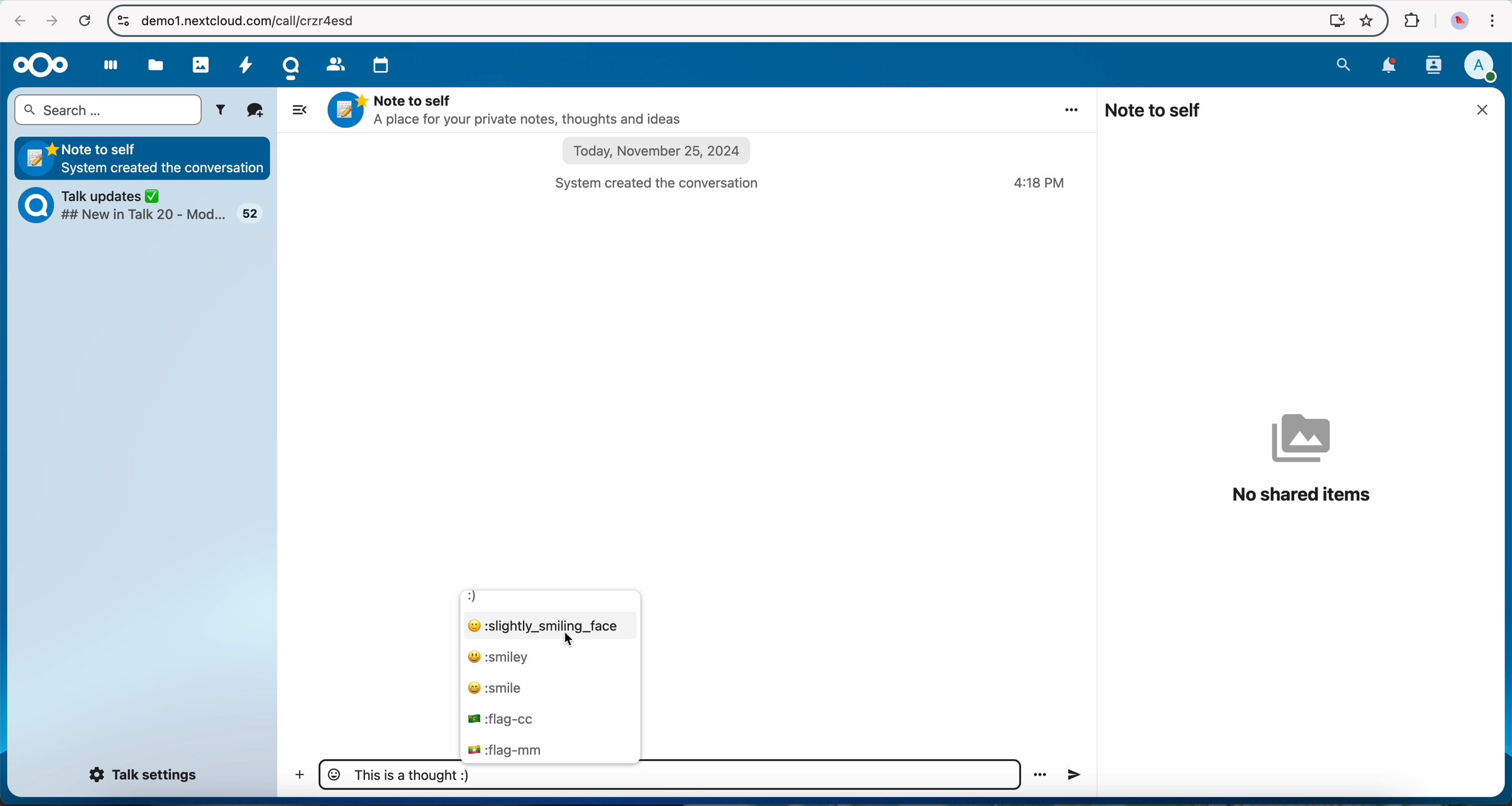 The height and width of the screenshot is (806, 1512). What do you see at coordinates (508, 753) in the screenshot?
I see `flag mm` at bounding box center [508, 753].